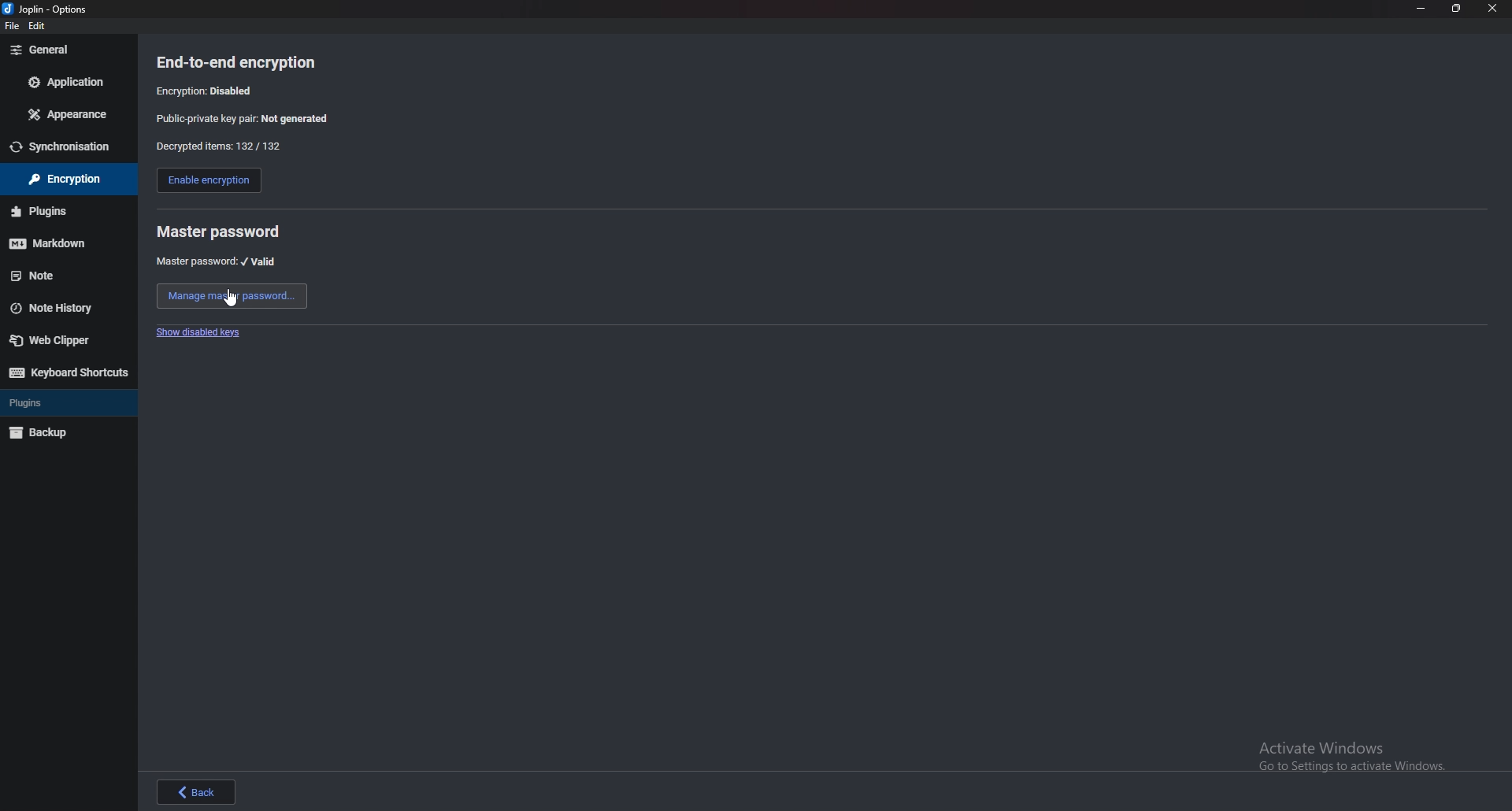 The height and width of the screenshot is (811, 1512). What do you see at coordinates (218, 231) in the screenshot?
I see `master password` at bounding box center [218, 231].